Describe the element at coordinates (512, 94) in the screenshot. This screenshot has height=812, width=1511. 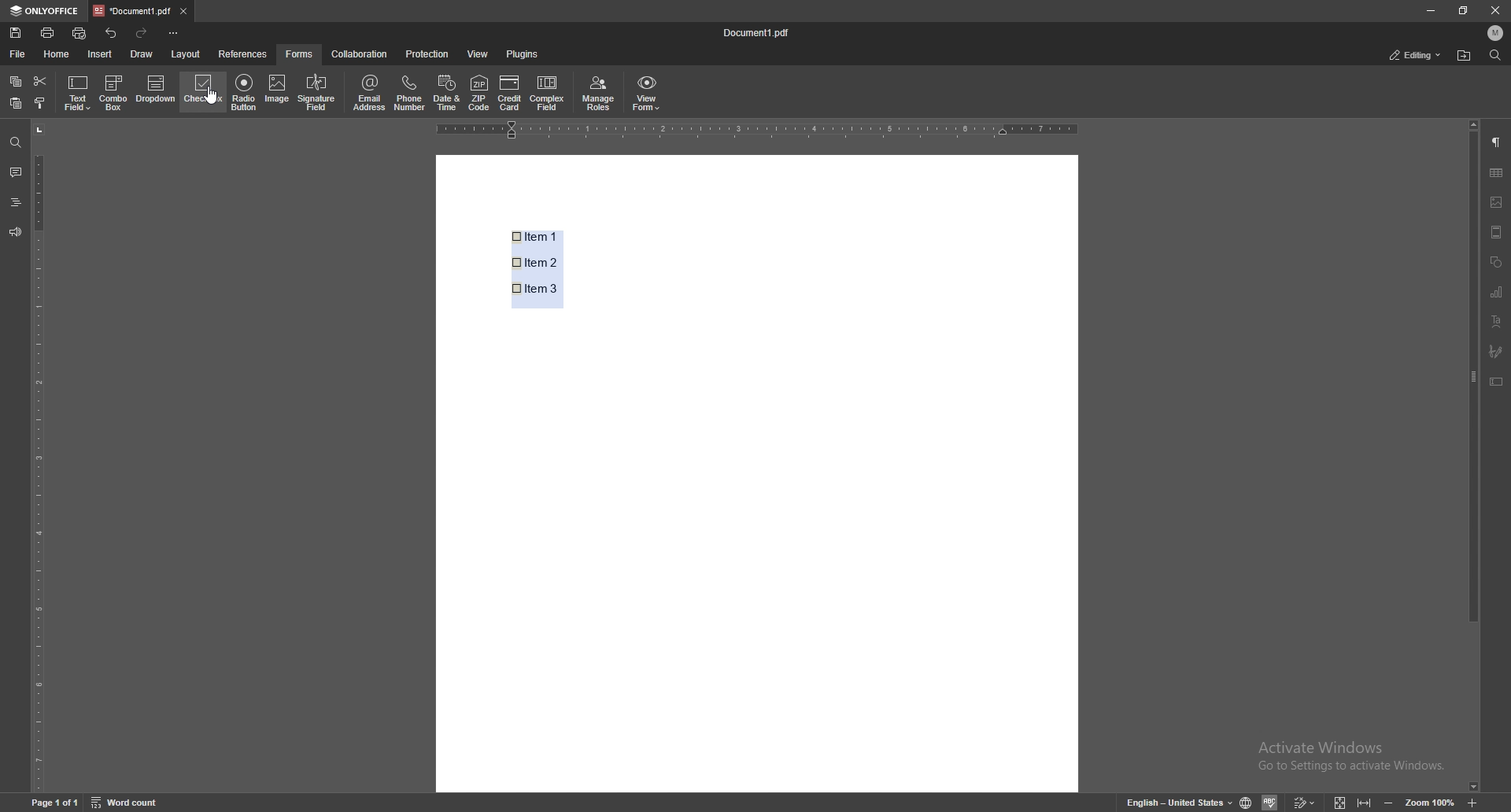
I see `credit card` at that location.